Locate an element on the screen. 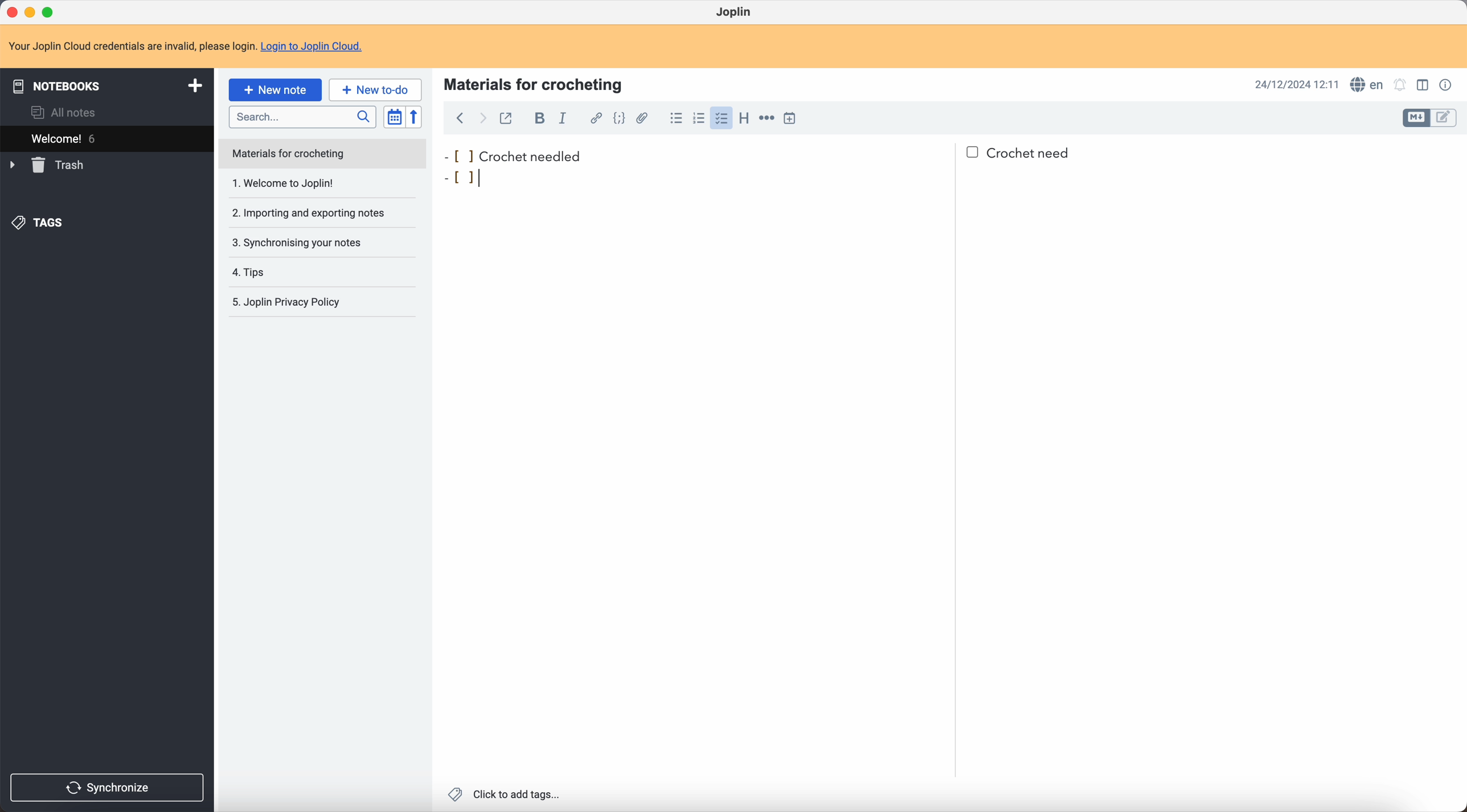  tags is located at coordinates (40, 224).